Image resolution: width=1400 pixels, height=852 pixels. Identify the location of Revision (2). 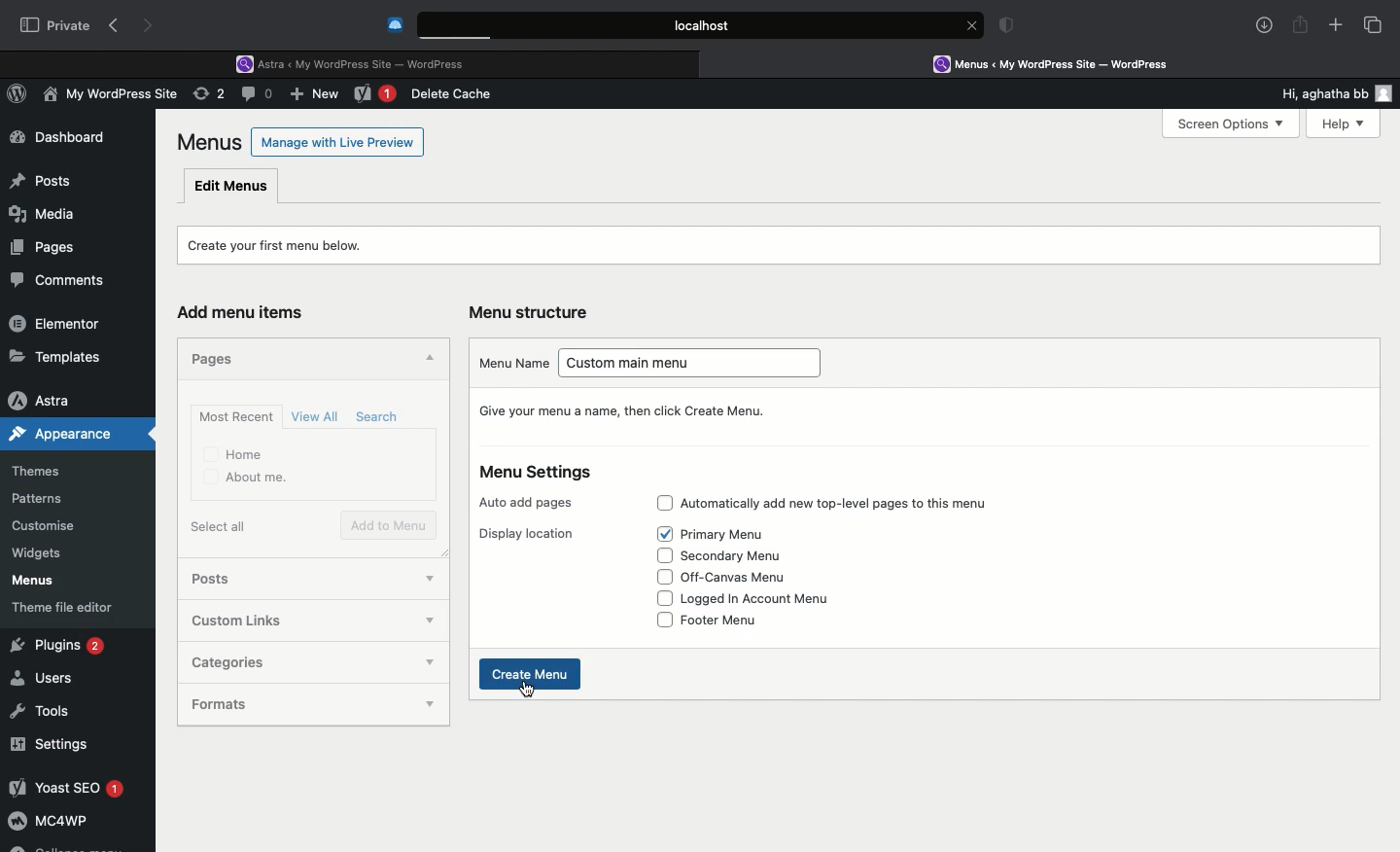
(206, 96).